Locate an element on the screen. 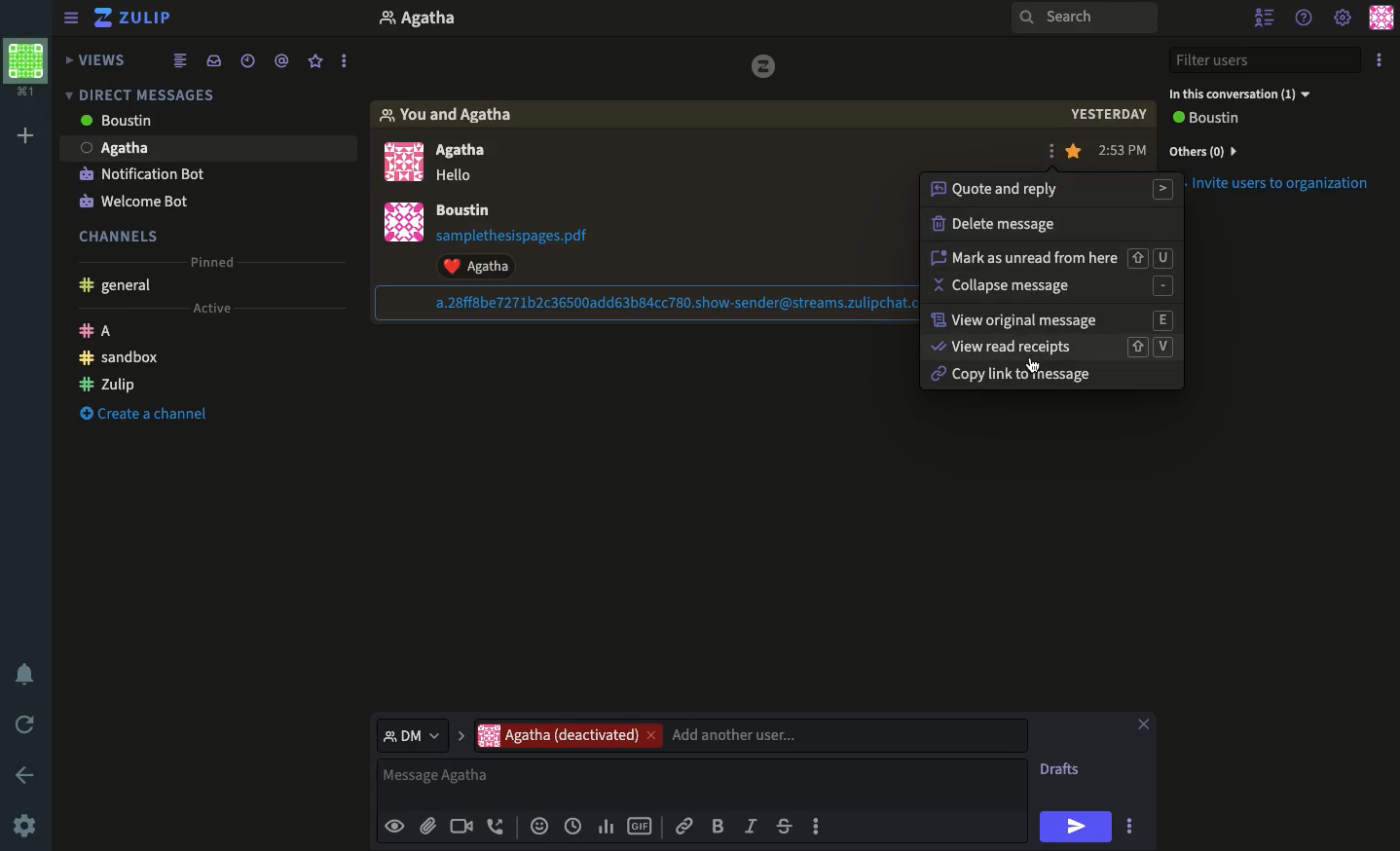 The width and height of the screenshot is (1400, 851). You and user is located at coordinates (457, 116).